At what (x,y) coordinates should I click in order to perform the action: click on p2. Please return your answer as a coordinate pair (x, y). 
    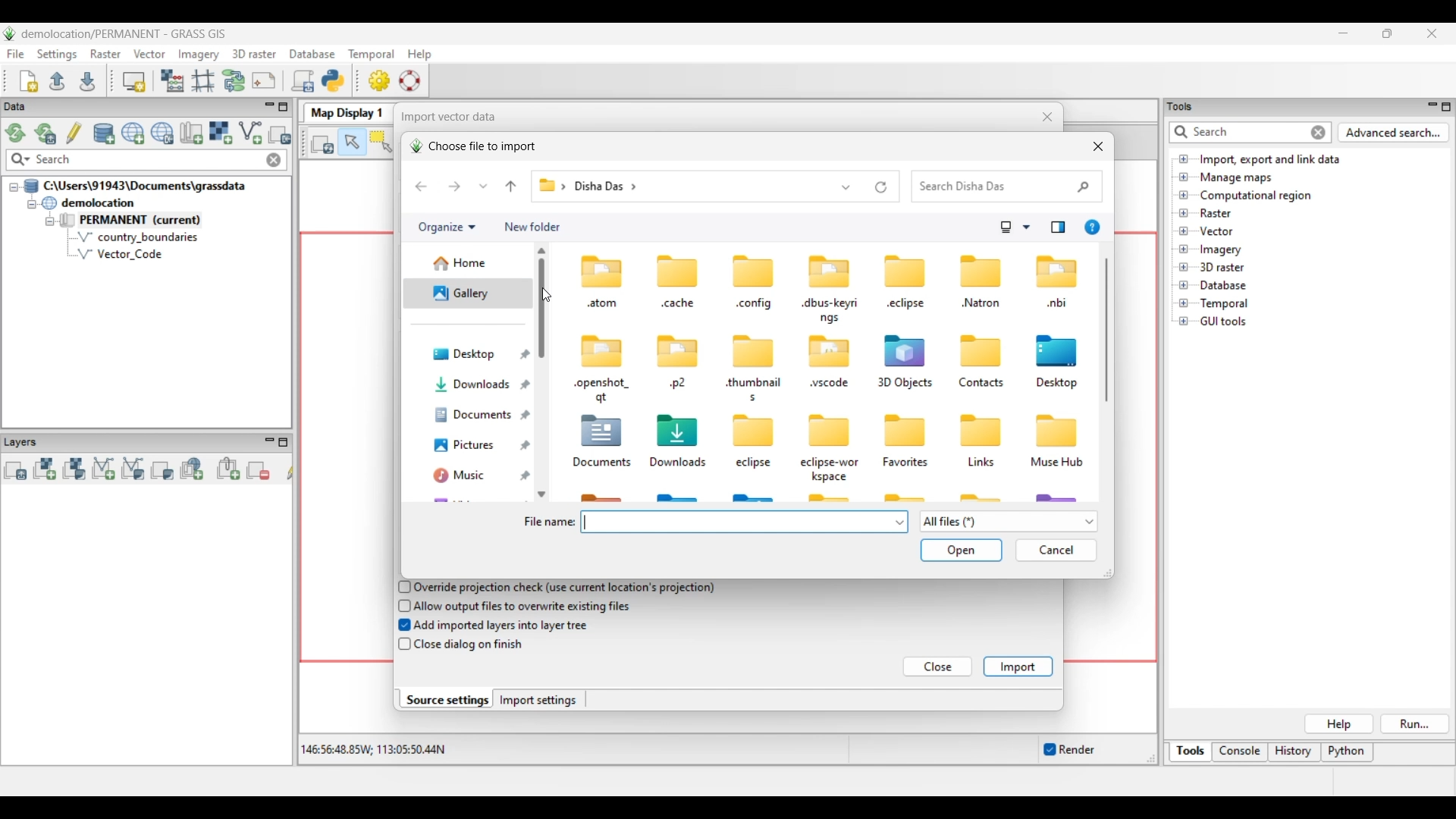
    Looking at the image, I should click on (678, 384).